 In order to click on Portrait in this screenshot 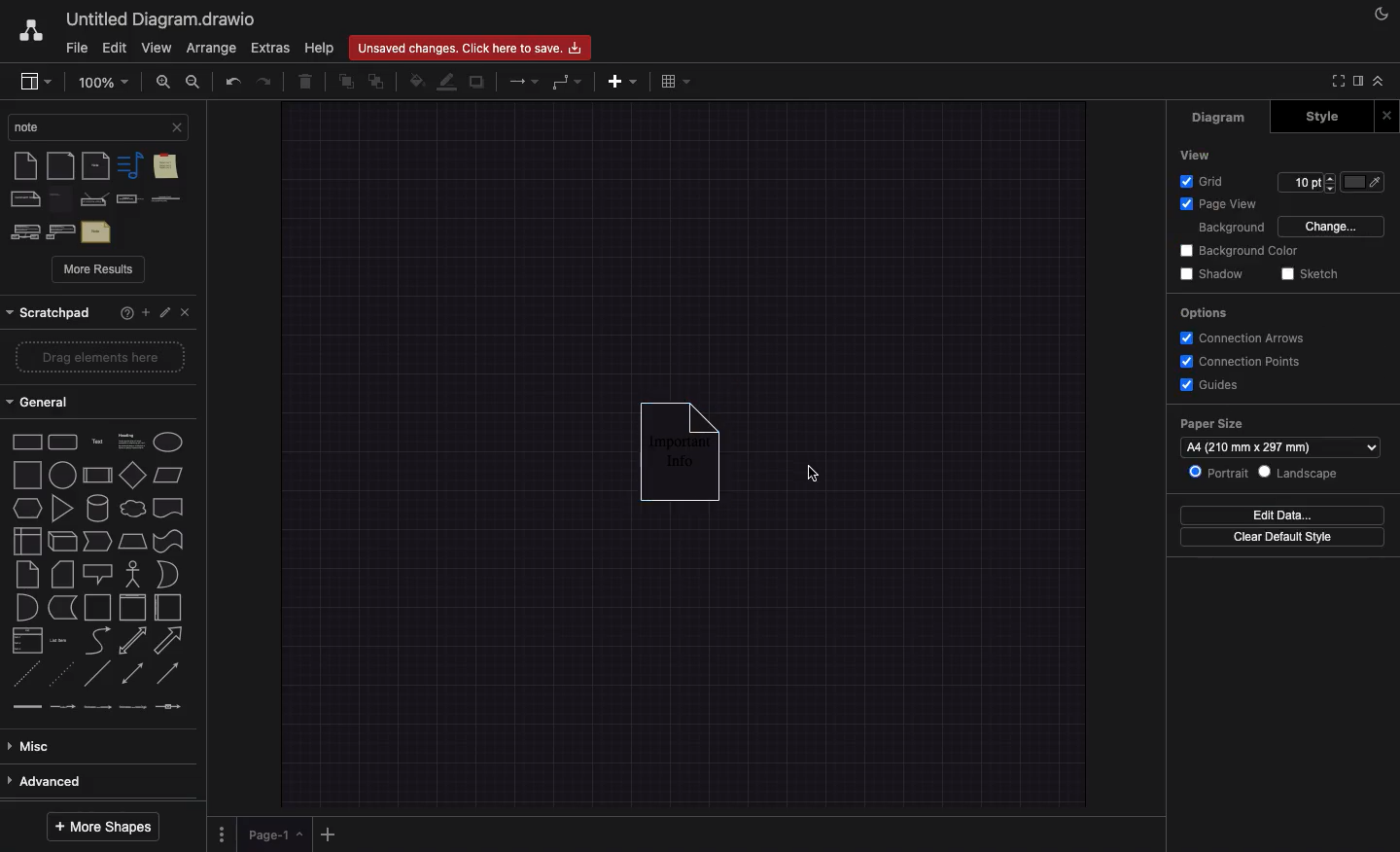, I will do `click(1216, 473)`.